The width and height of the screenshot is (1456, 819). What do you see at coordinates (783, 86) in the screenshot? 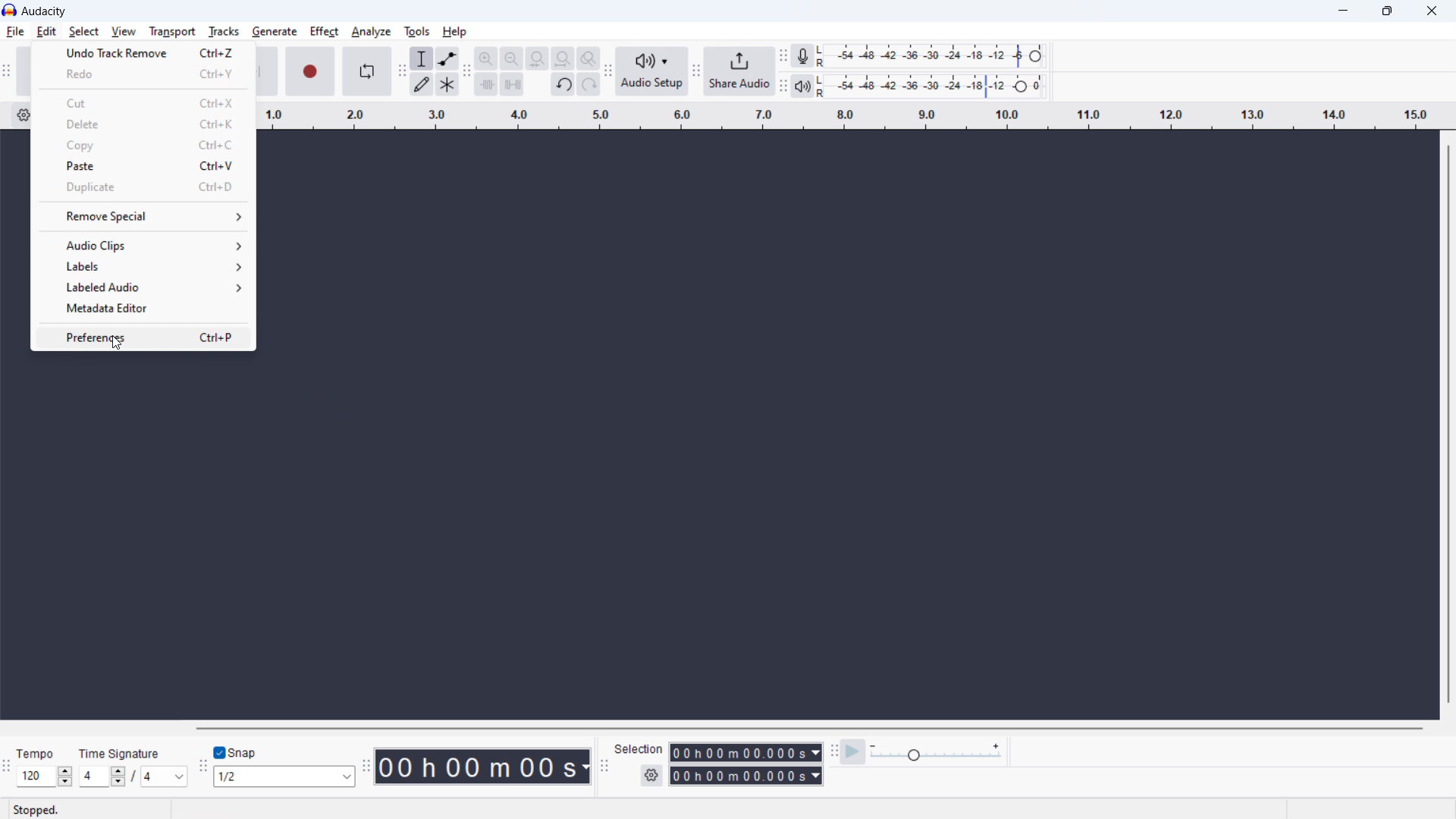
I see `playback meter toolbar` at bounding box center [783, 86].